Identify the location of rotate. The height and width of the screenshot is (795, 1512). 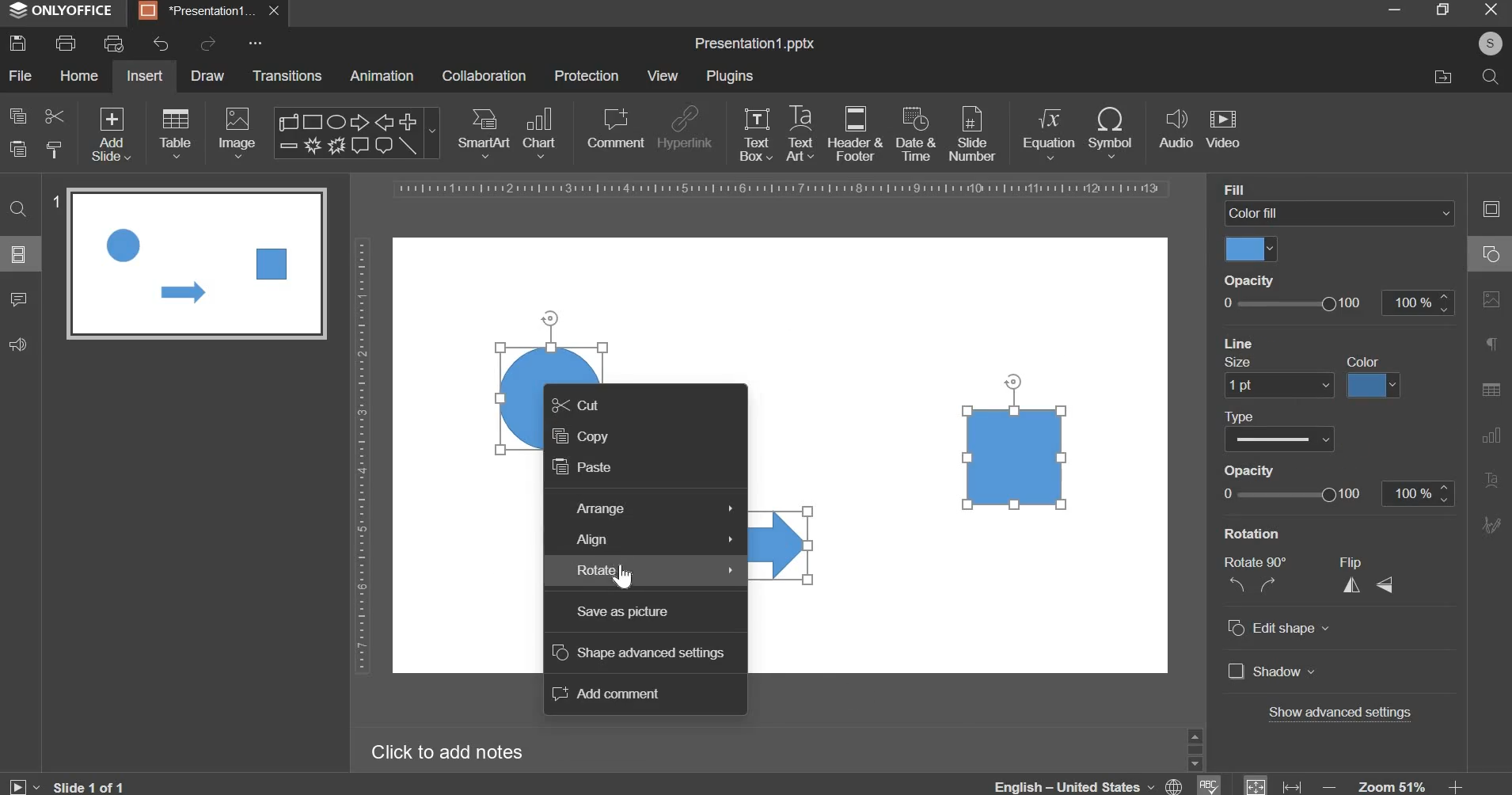
(655, 572).